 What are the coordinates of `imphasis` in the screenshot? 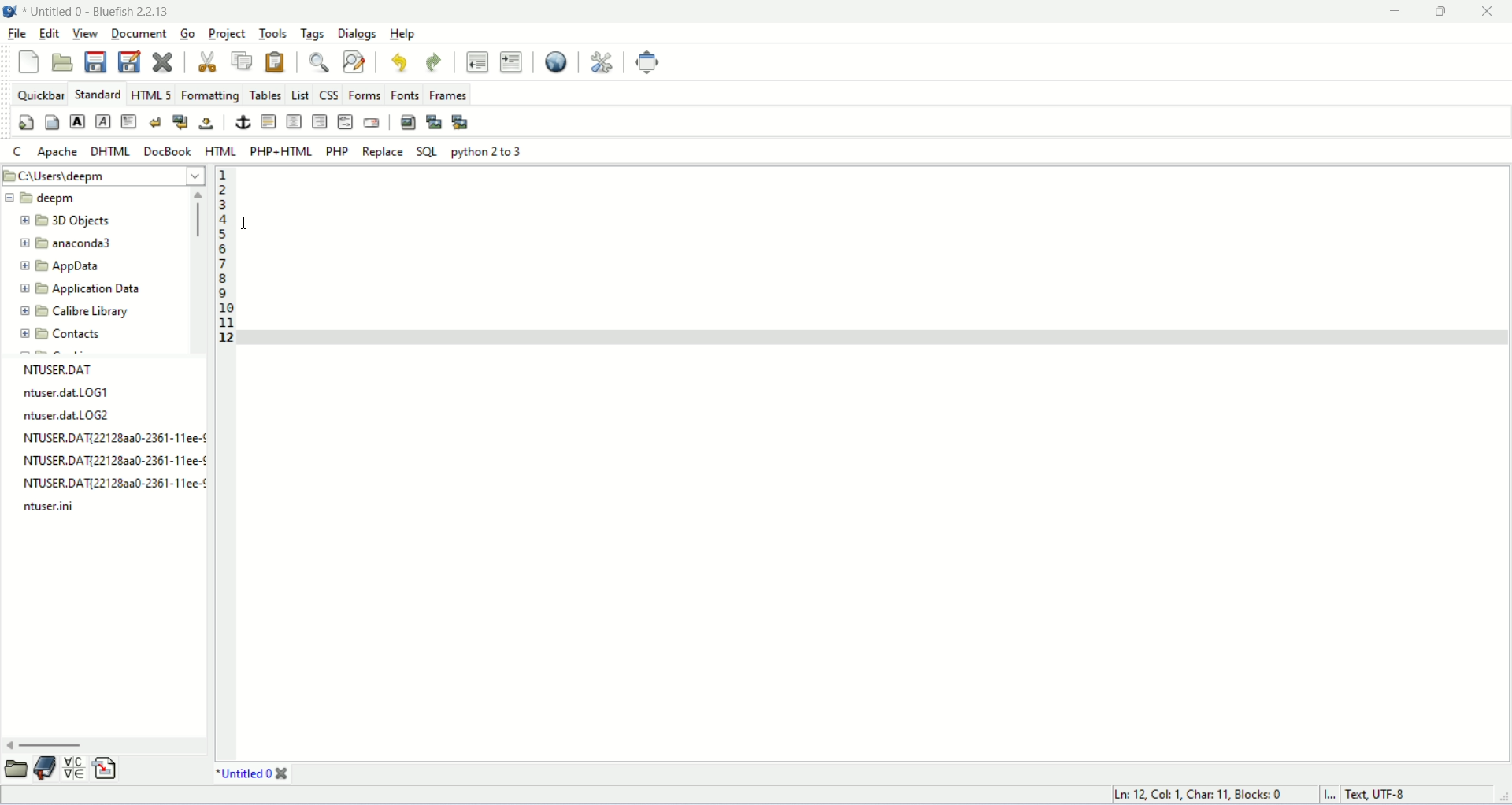 It's located at (103, 121).